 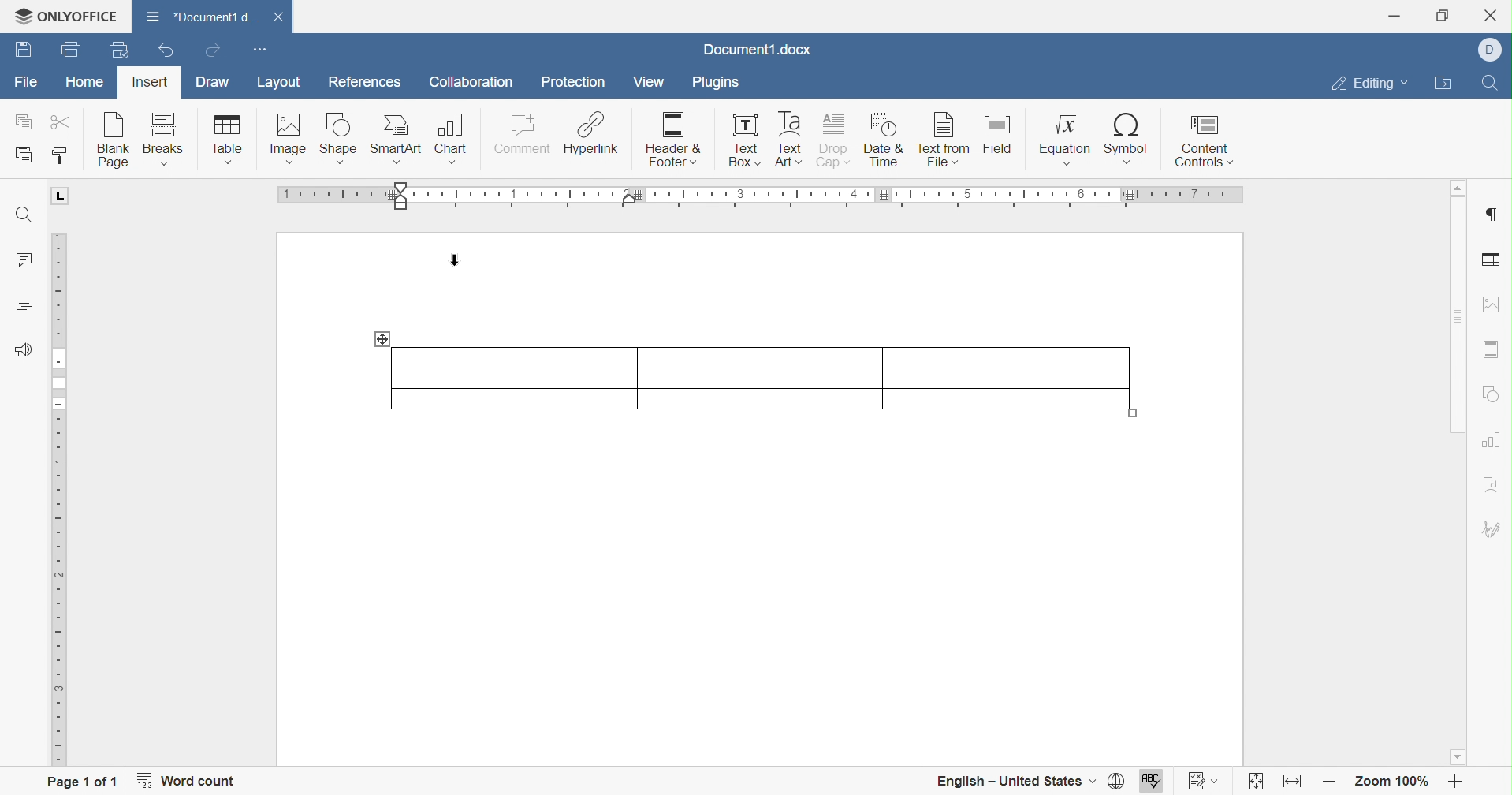 What do you see at coordinates (1496, 400) in the screenshot?
I see `Shape settings` at bounding box center [1496, 400].